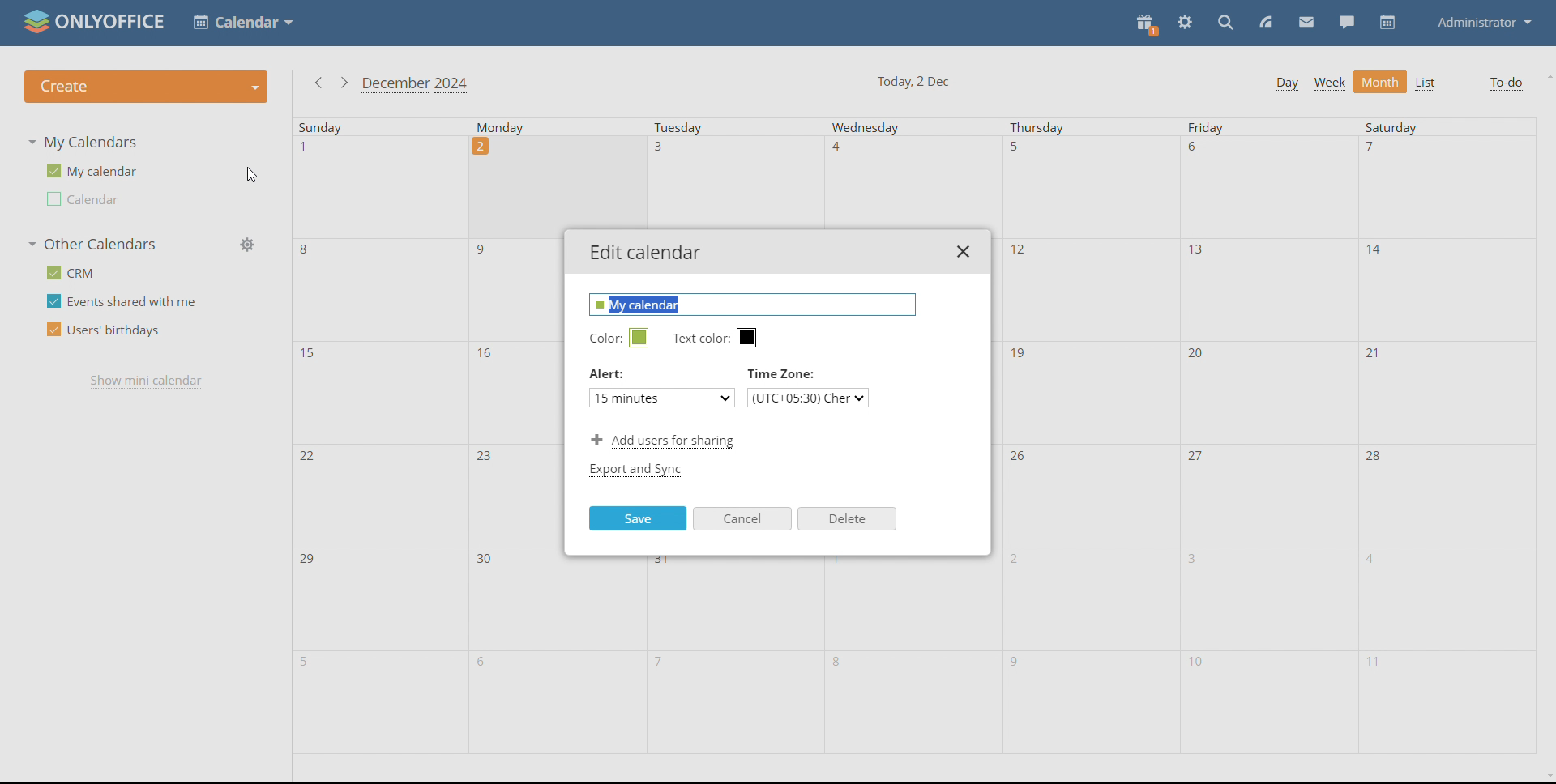 The image size is (1556, 784). I want to click on administrator, so click(1485, 23).